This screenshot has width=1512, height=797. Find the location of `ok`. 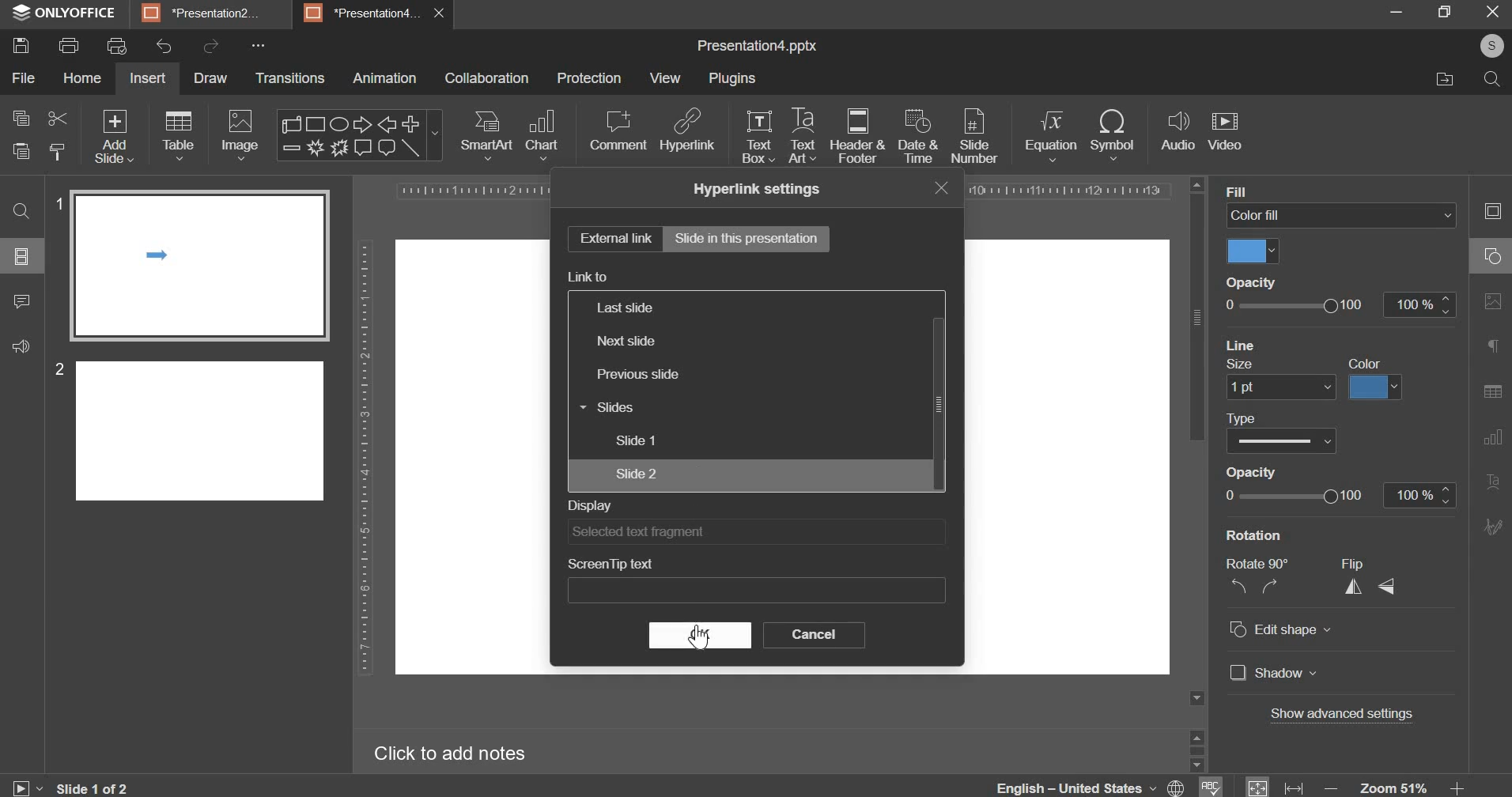

ok is located at coordinates (698, 635).